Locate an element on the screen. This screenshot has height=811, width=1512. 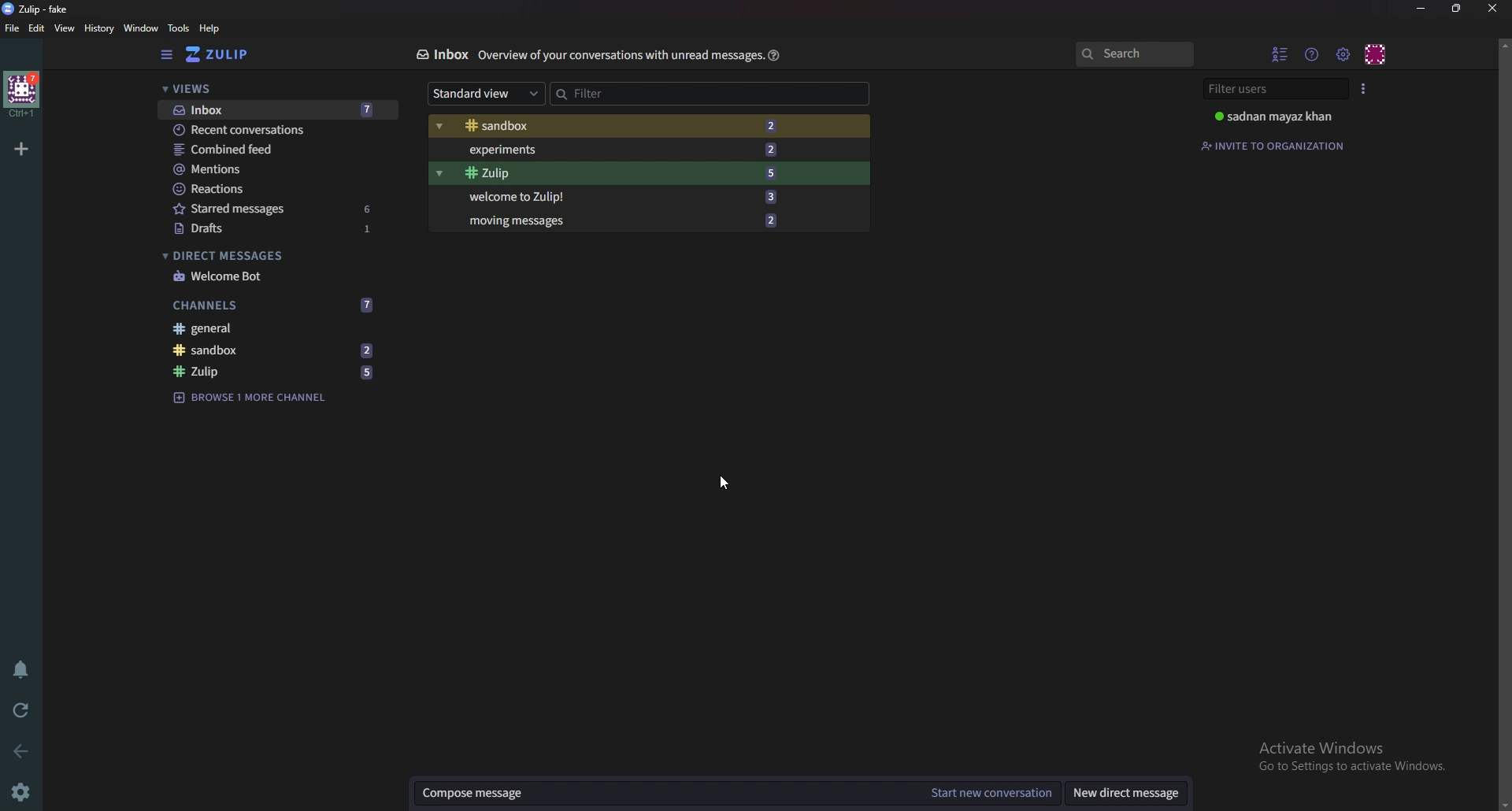
User list style is located at coordinates (1367, 89).